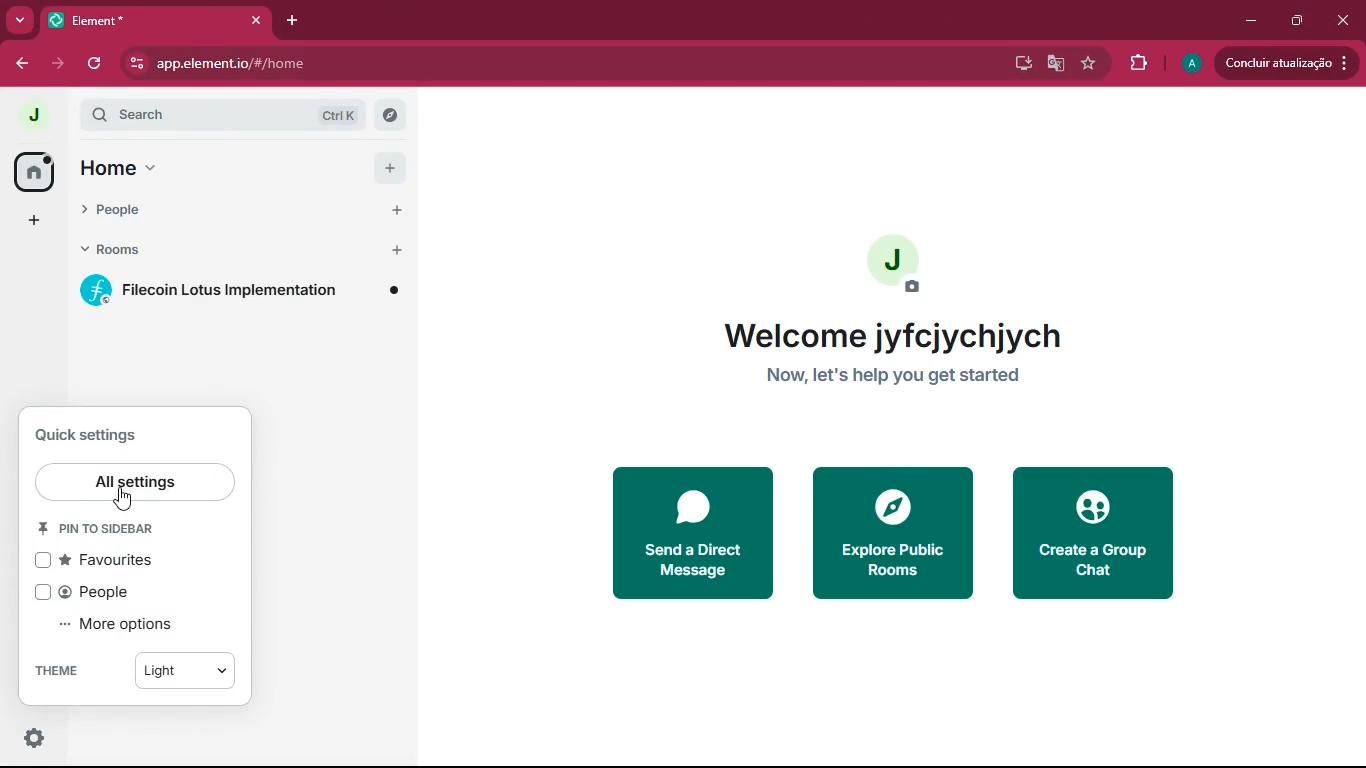  I want to click on create, so click(1098, 538).